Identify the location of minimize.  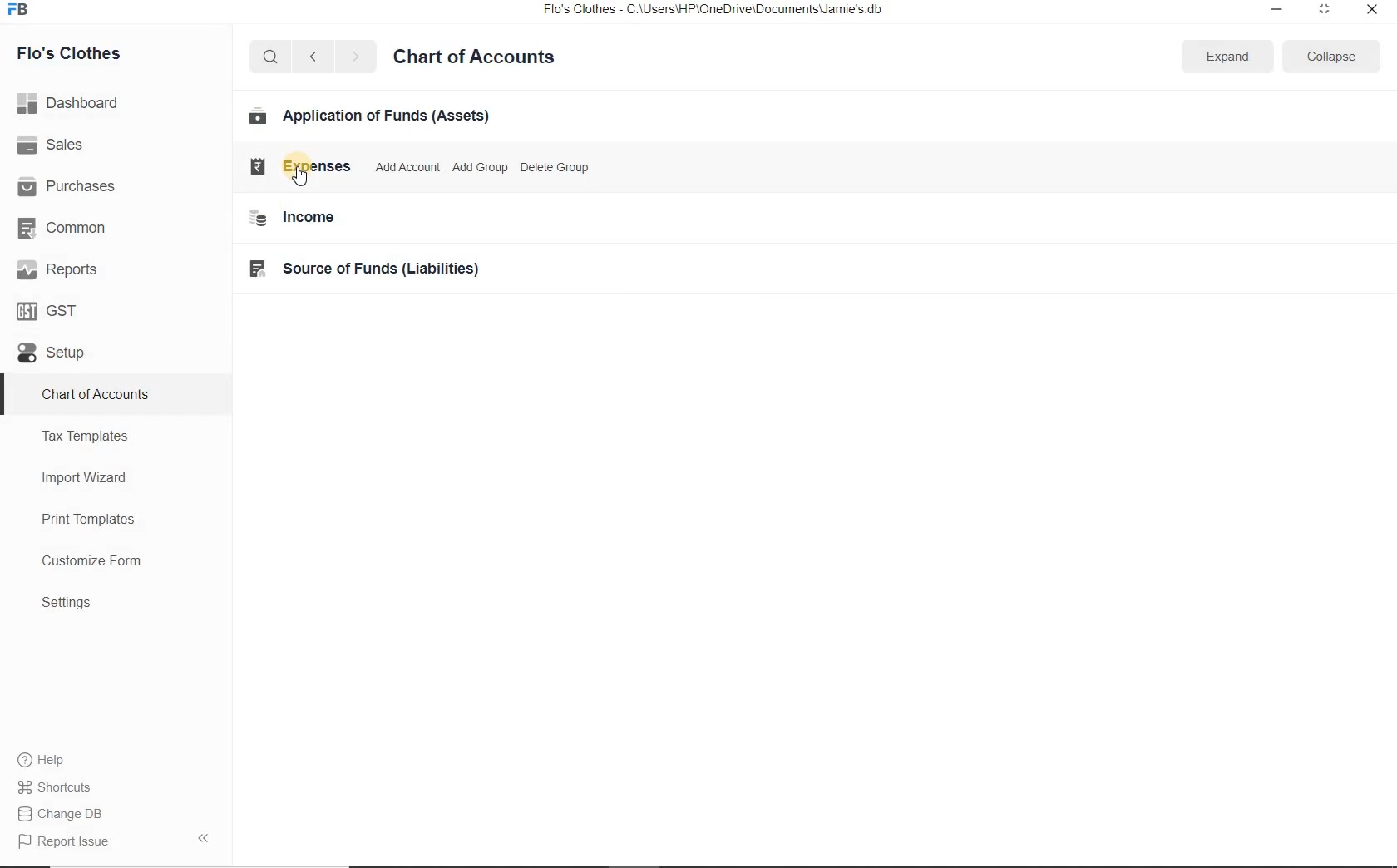
(1277, 11).